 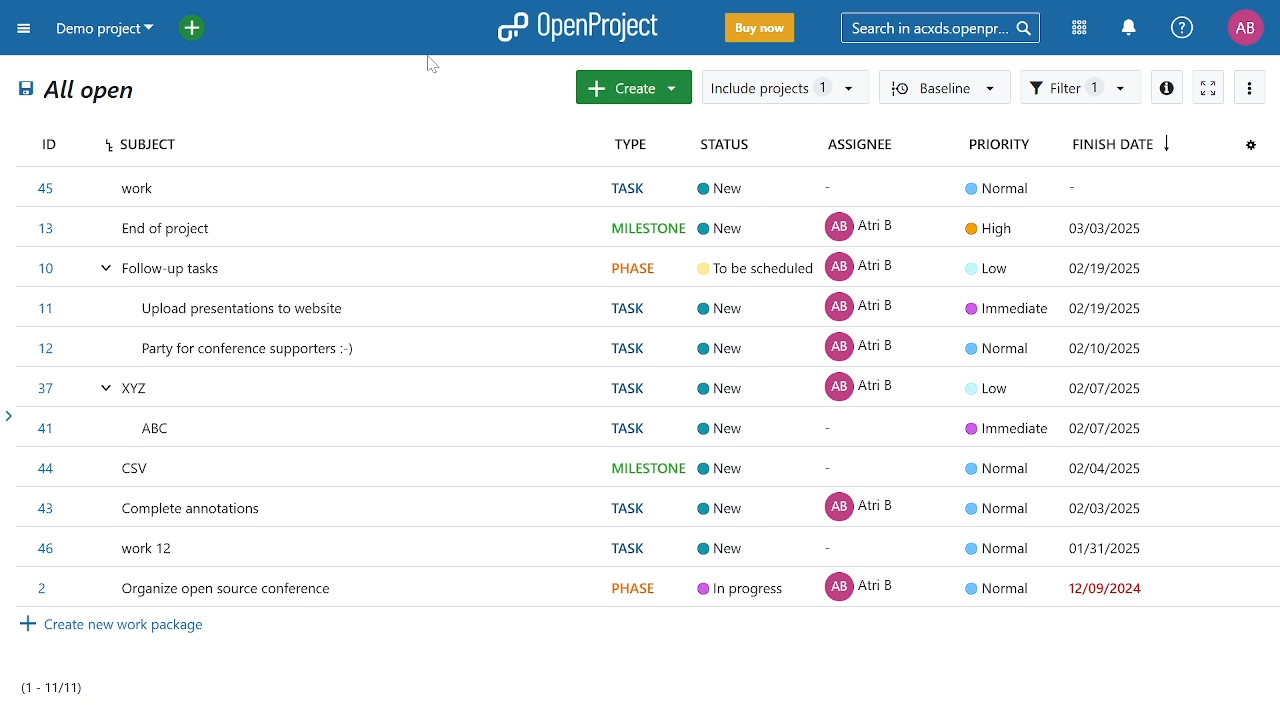 I want to click on task titled"XYZ", so click(x=649, y=386).